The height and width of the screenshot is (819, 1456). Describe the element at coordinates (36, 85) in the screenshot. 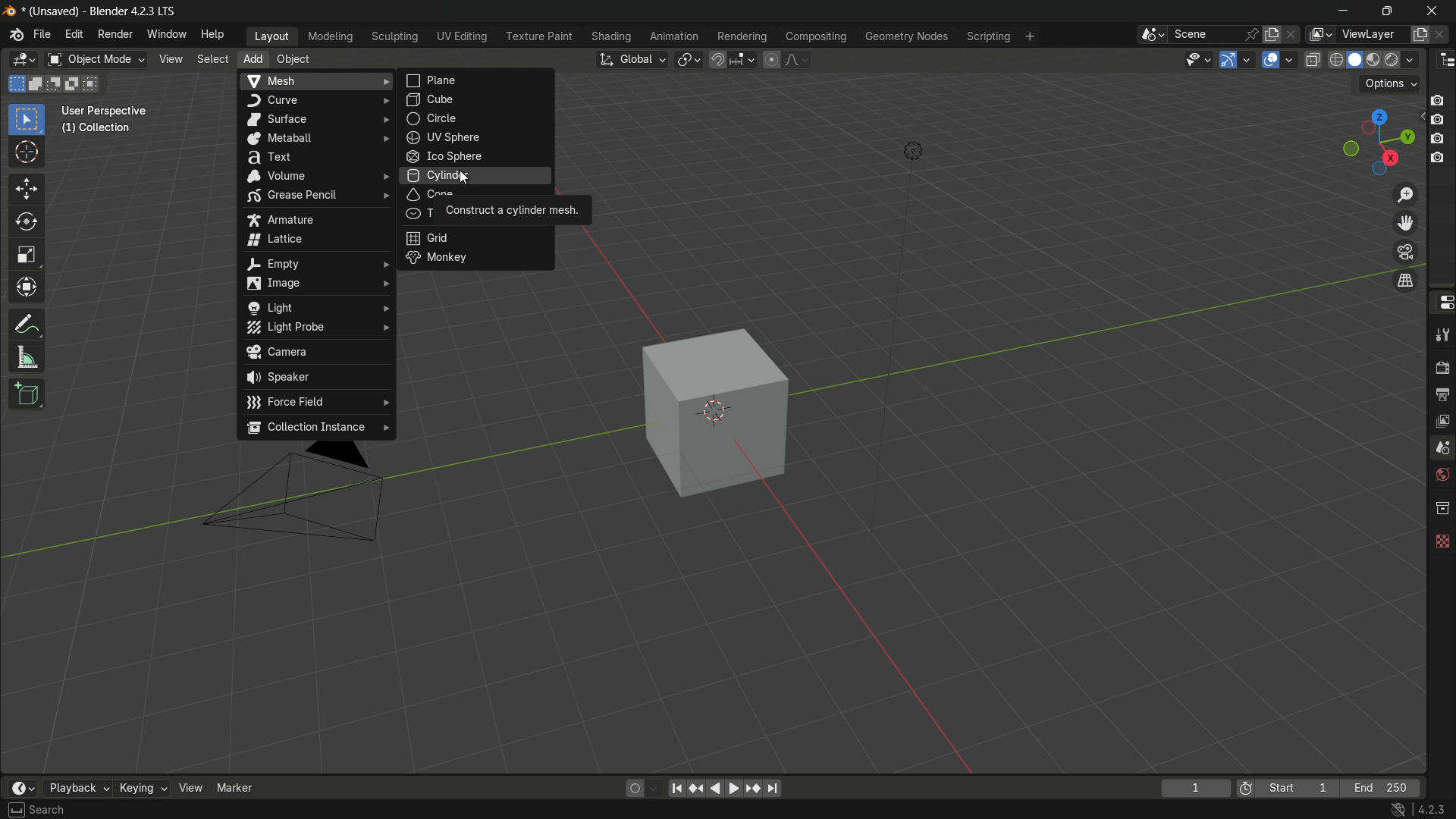

I see `extend existing selection` at that location.